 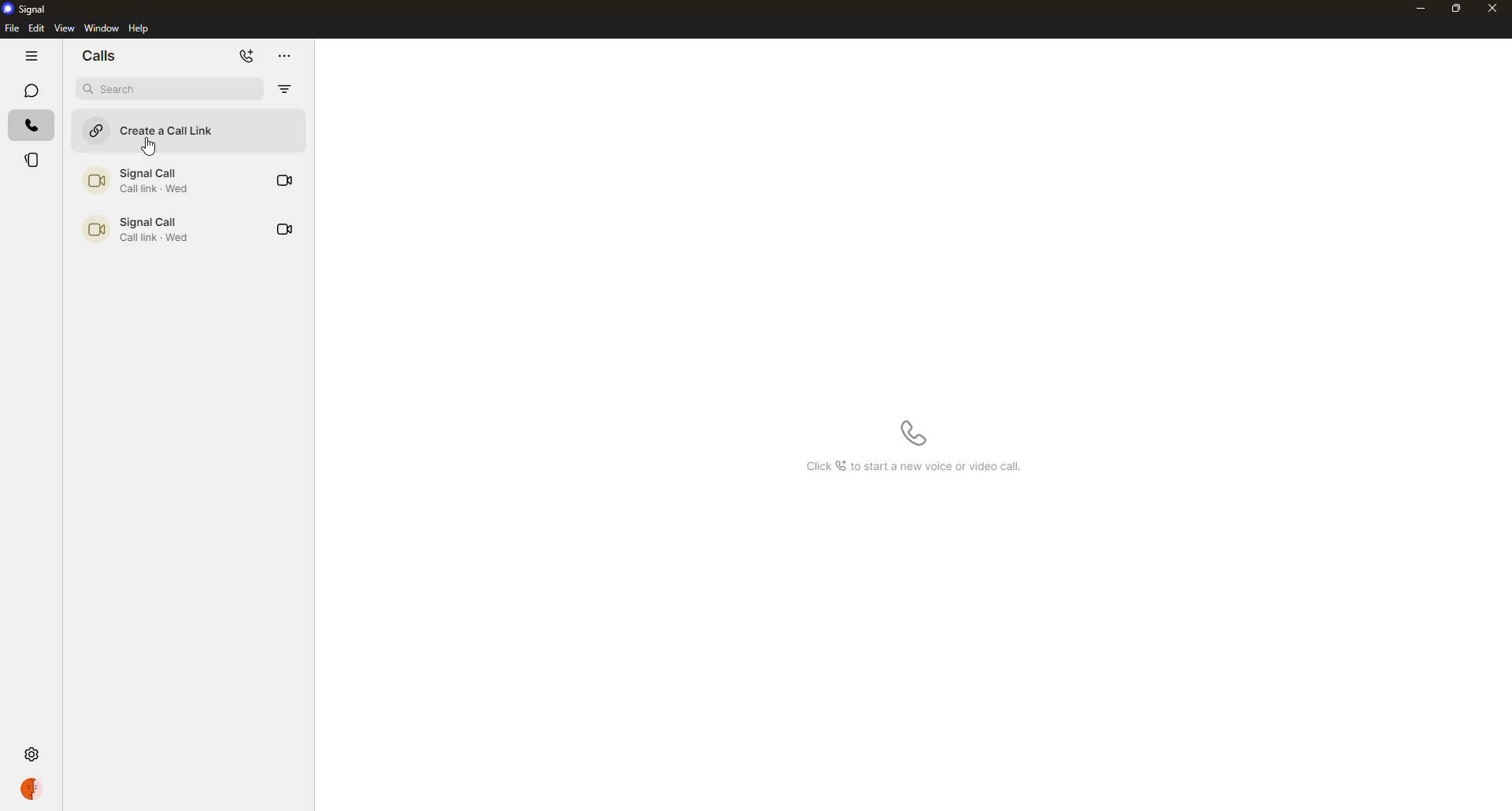 I want to click on calls, so click(x=105, y=56).